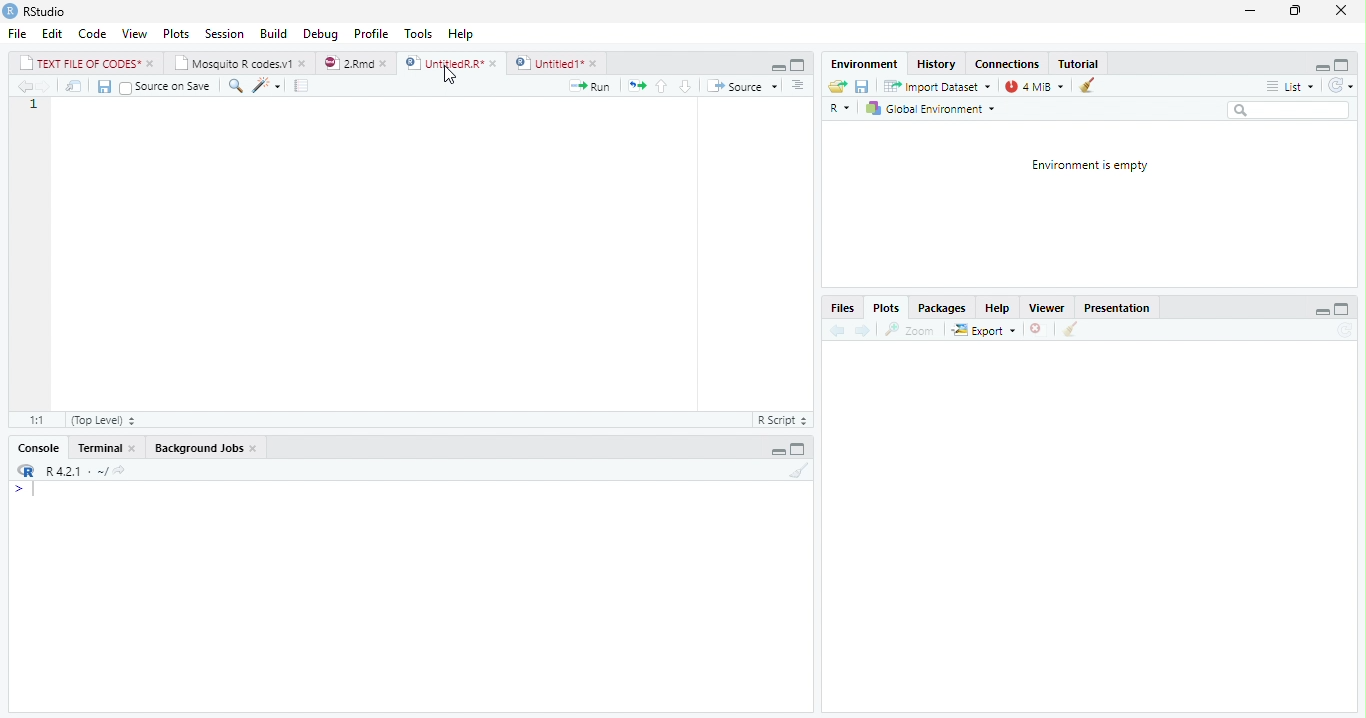  What do you see at coordinates (781, 421) in the screenshot?
I see `RScript ` at bounding box center [781, 421].